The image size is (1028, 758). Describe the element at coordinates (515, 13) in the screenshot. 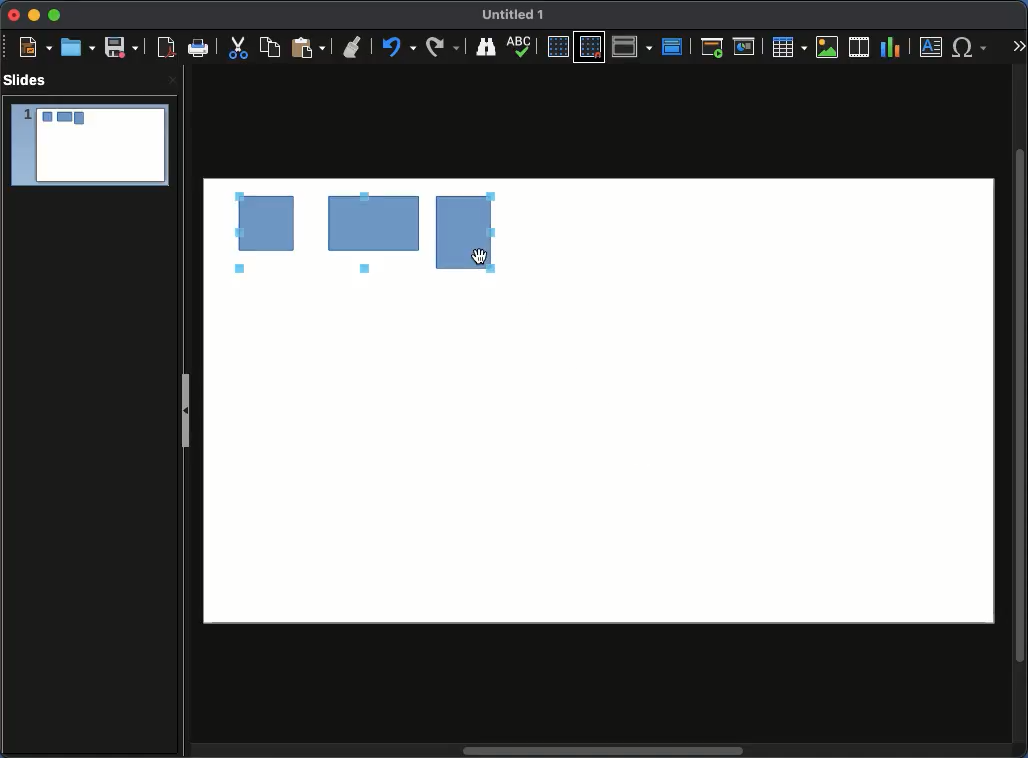

I see `Name` at that location.